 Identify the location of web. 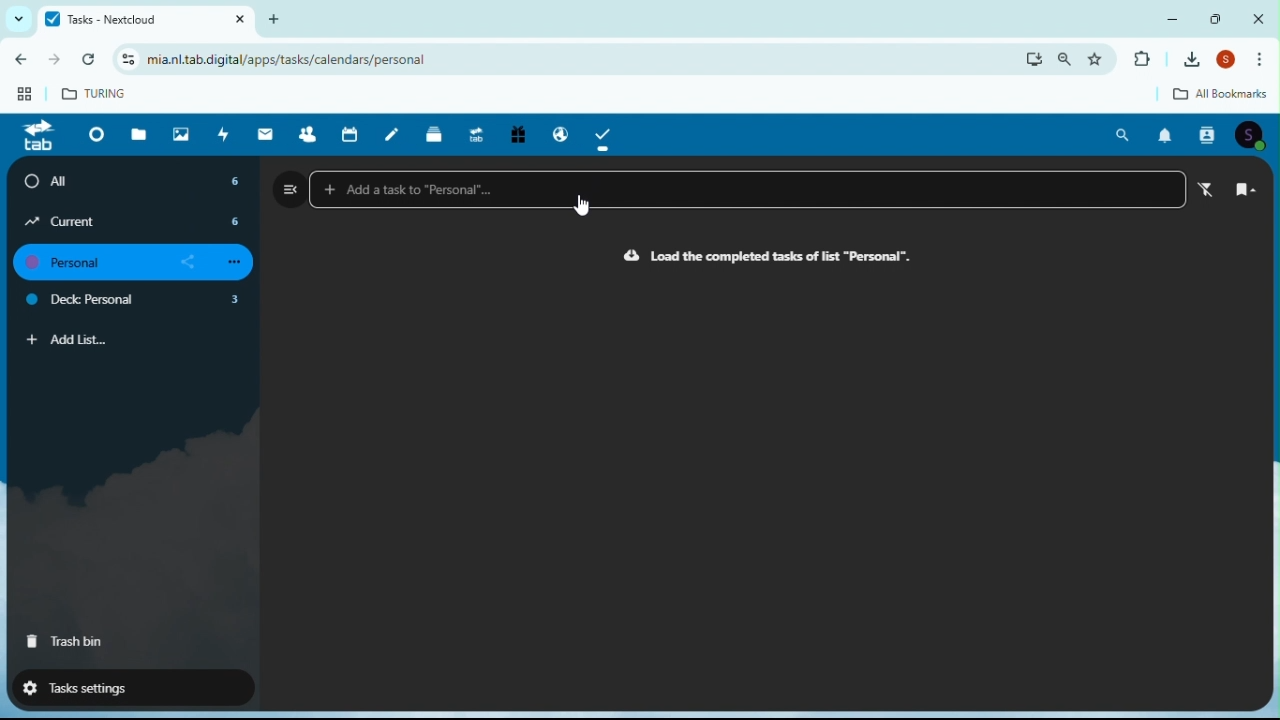
(18, 98).